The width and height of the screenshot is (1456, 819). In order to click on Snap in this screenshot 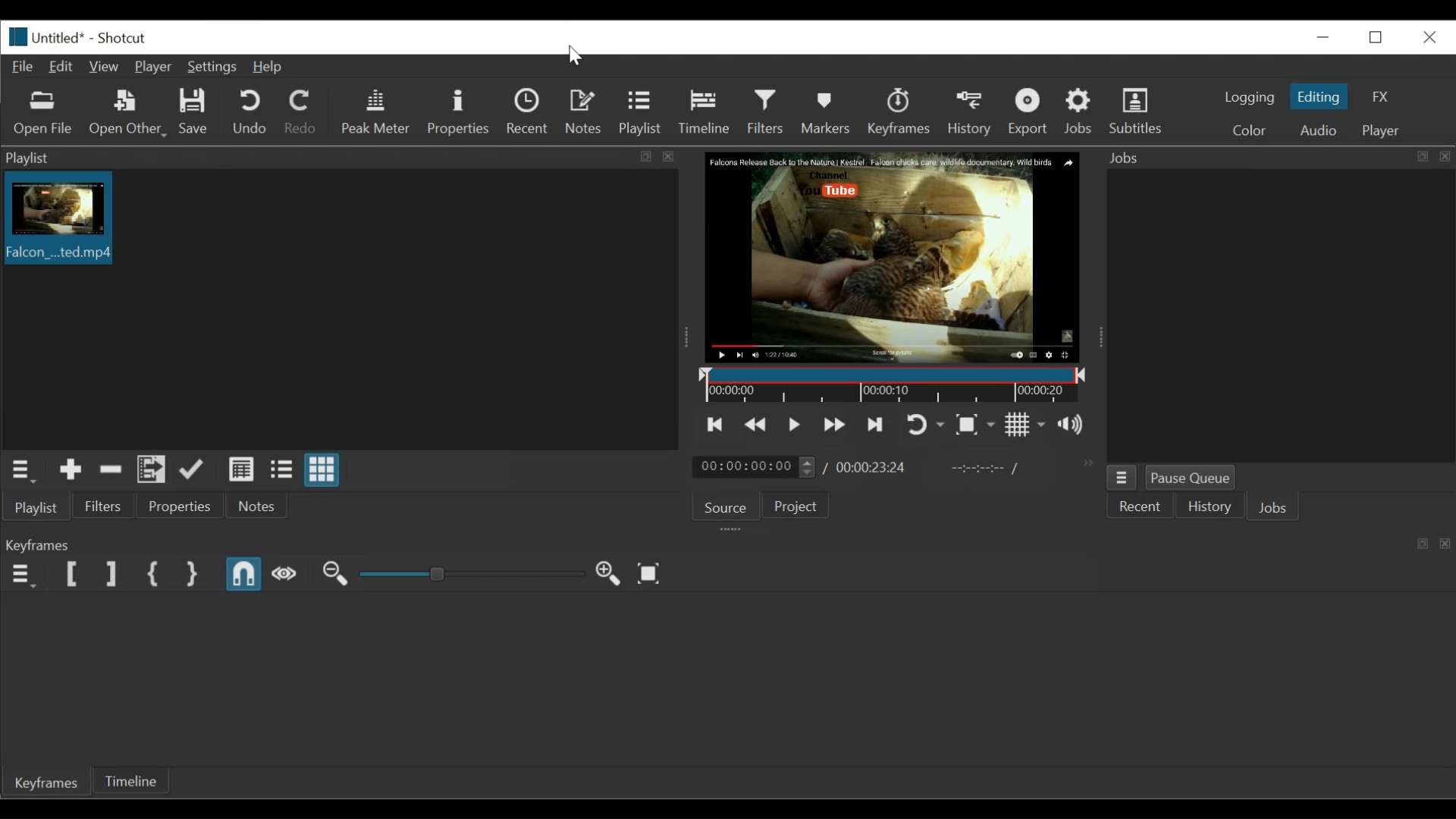, I will do `click(244, 575)`.